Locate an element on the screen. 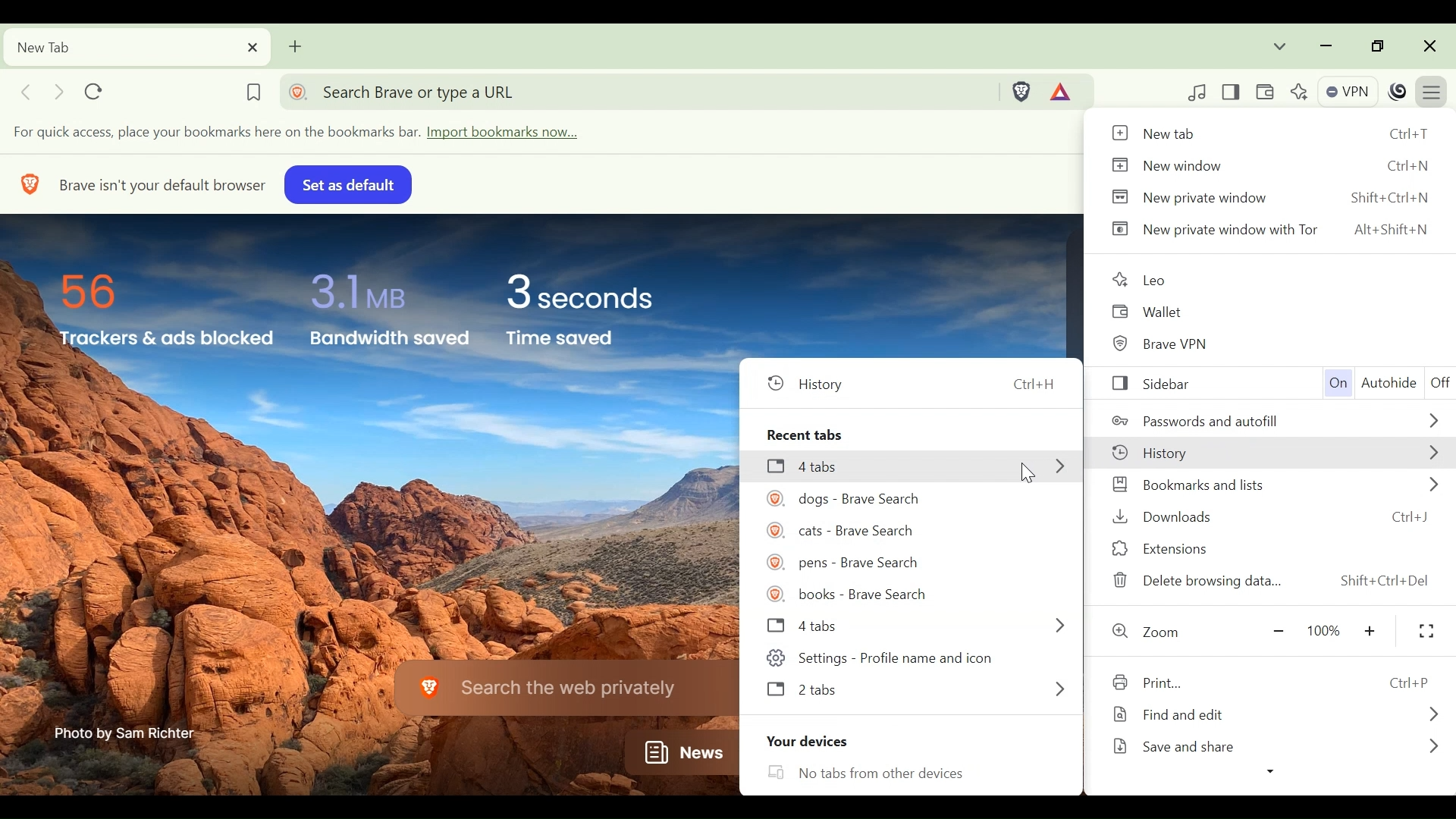 Image resolution: width=1456 pixels, height=819 pixels. Add new tab is located at coordinates (297, 45).